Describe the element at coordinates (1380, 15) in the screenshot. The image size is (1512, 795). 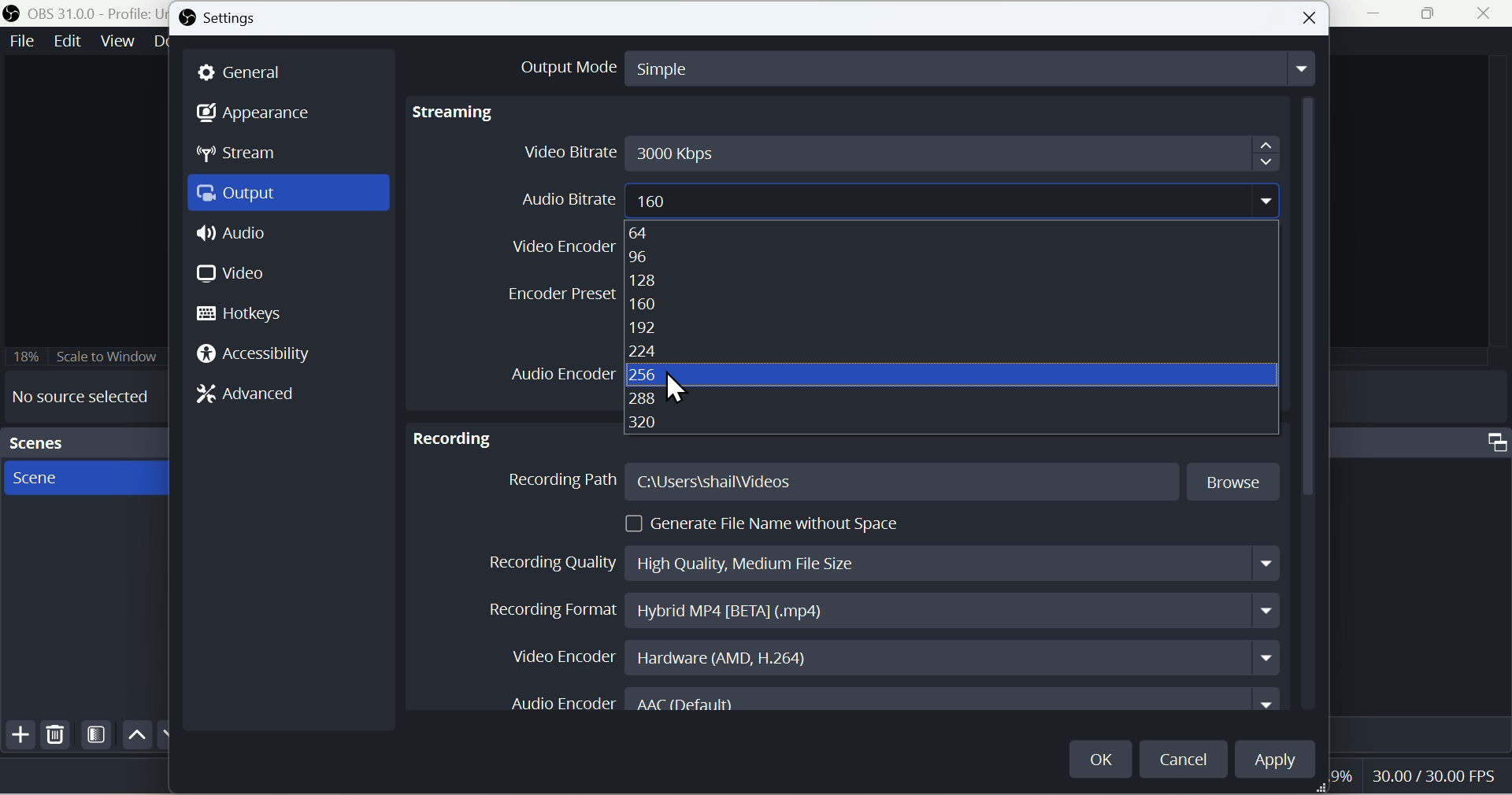
I see `minimise` at that location.